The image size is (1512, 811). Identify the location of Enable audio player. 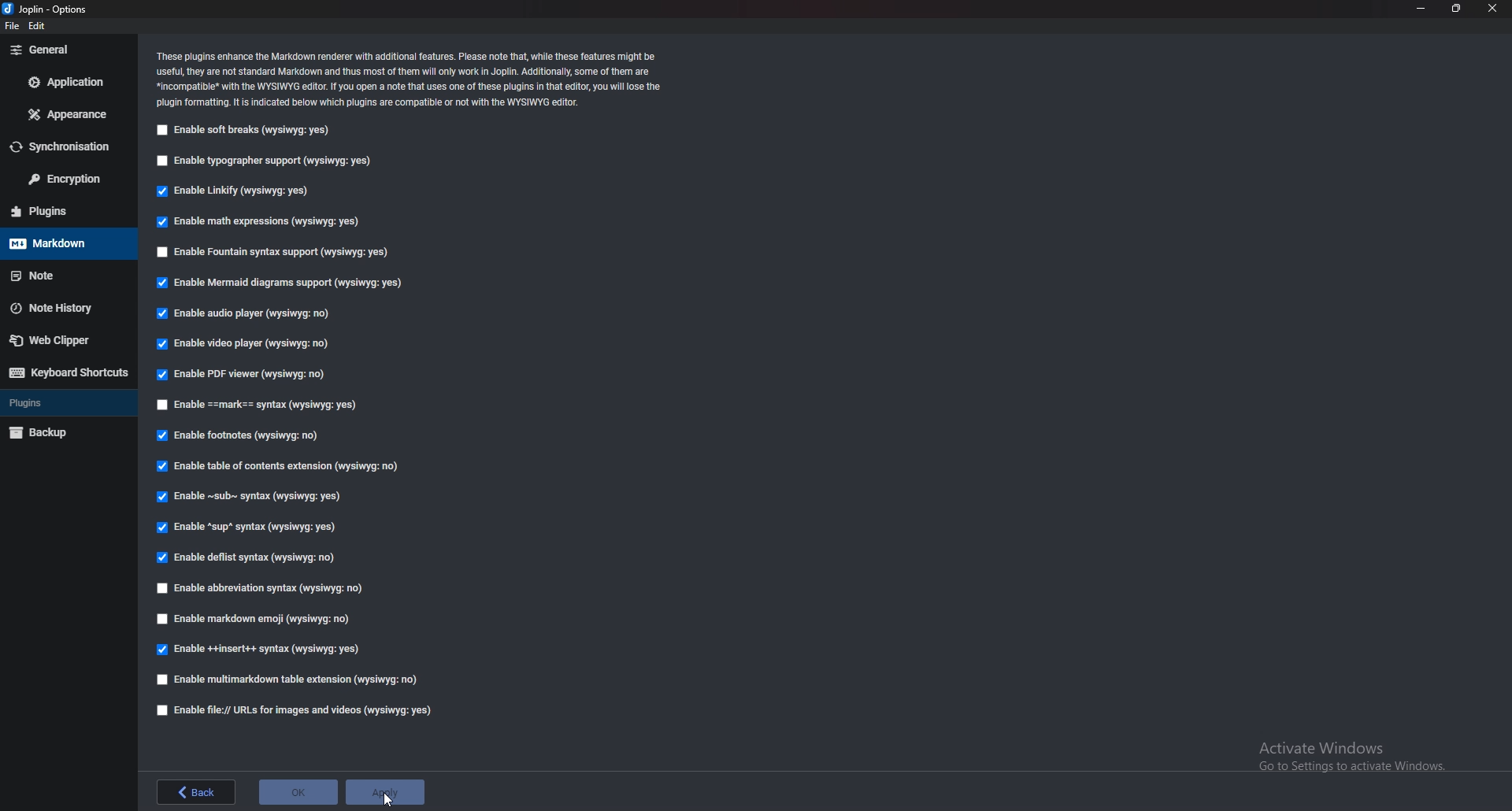
(243, 315).